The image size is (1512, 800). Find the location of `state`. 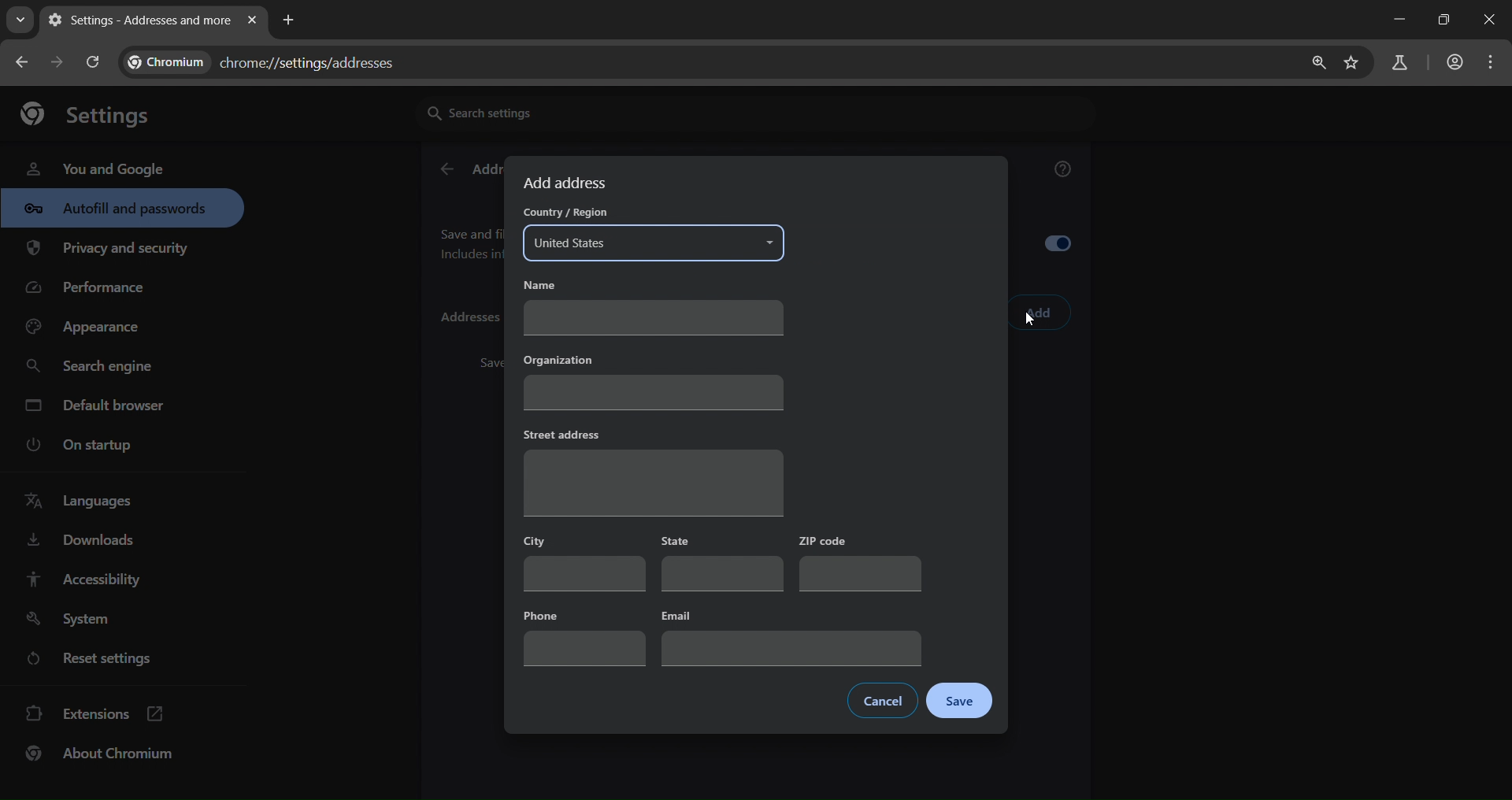

state is located at coordinates (720, 564).